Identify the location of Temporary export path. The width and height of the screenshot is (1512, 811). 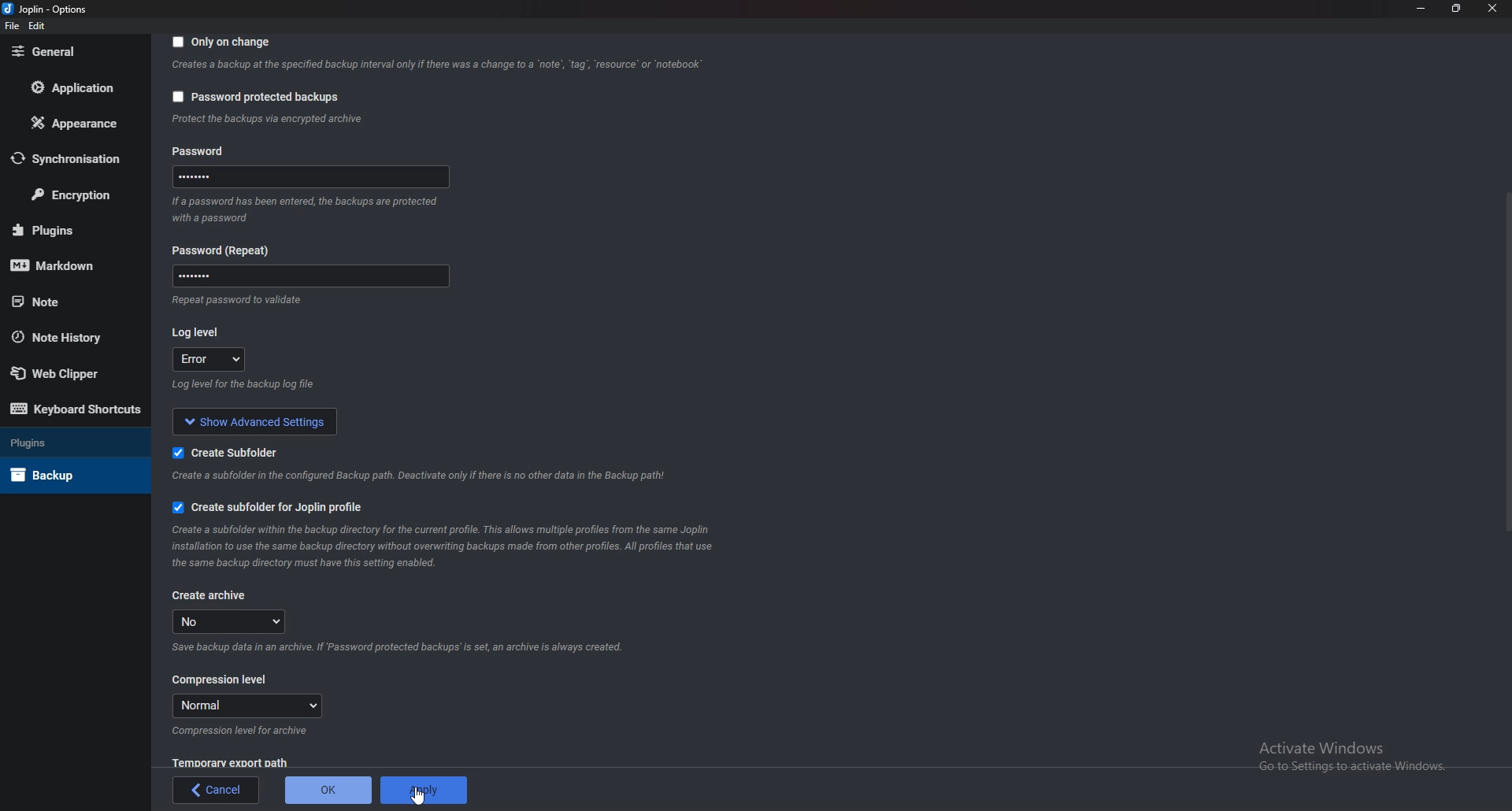
(229, 762).